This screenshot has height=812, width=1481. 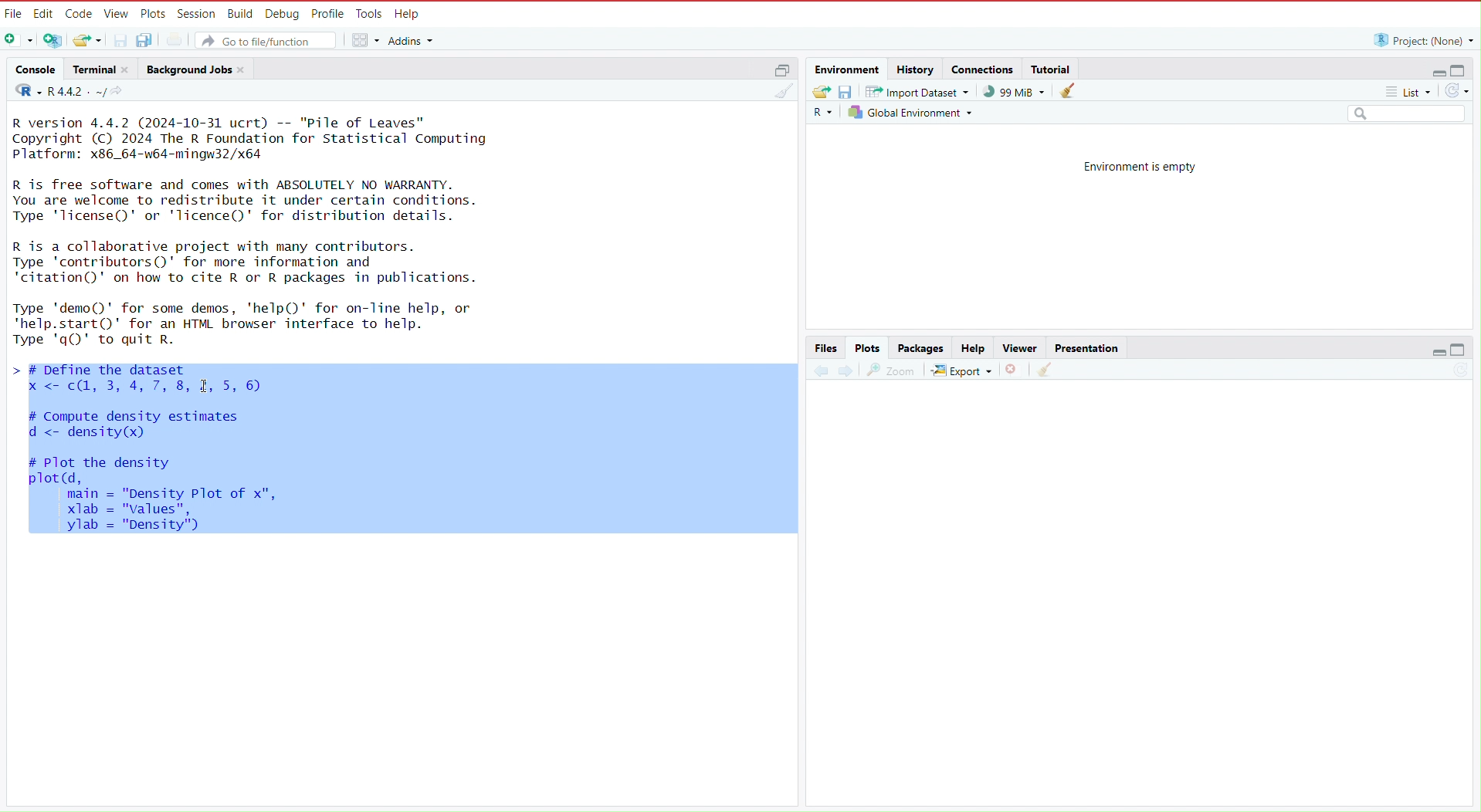 What do you see at coordinates (414, 40) in the screenshot?
I see `addins` at bounding box center [414, 40].